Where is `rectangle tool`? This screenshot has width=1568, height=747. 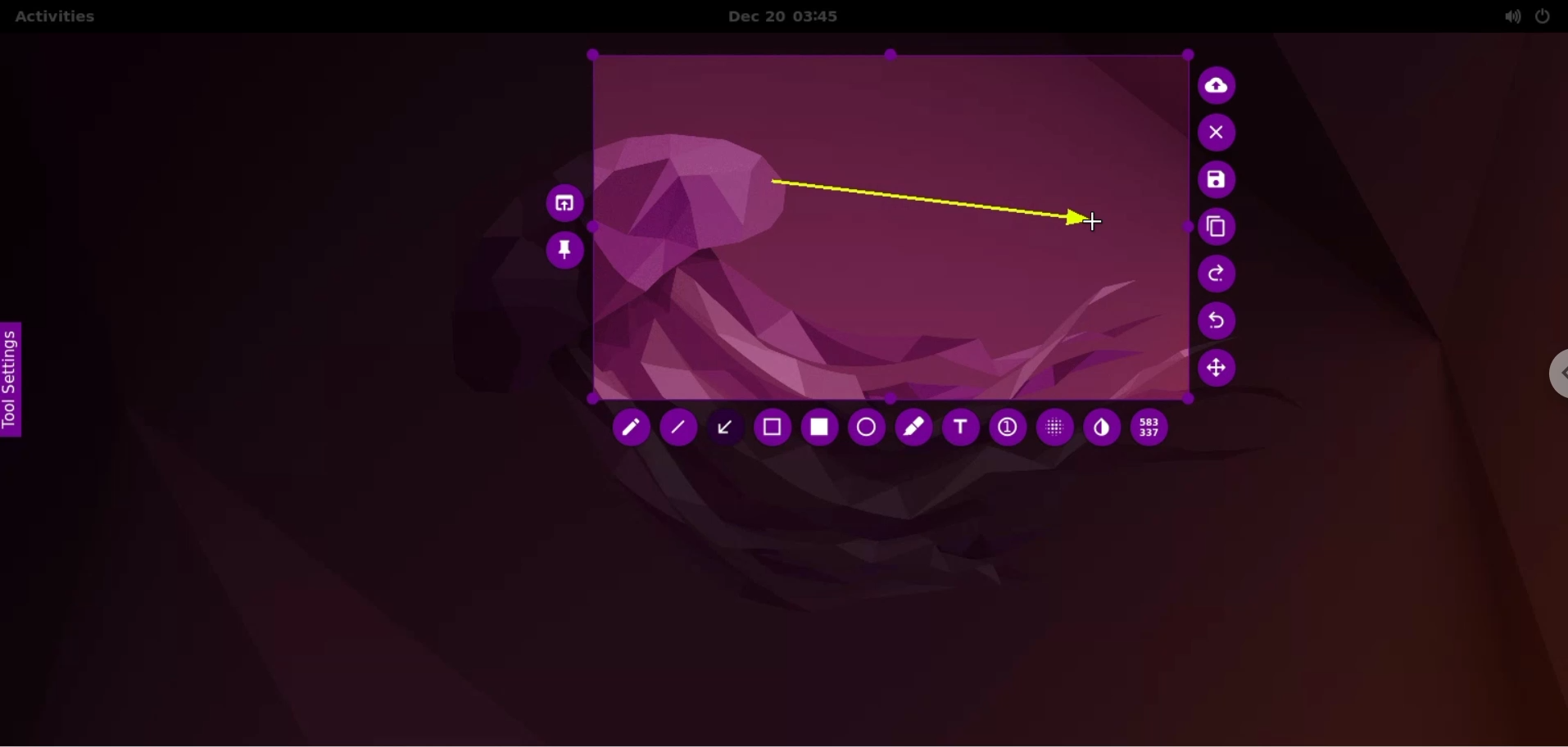 rectangle tool is located at coordinates (816, 428).